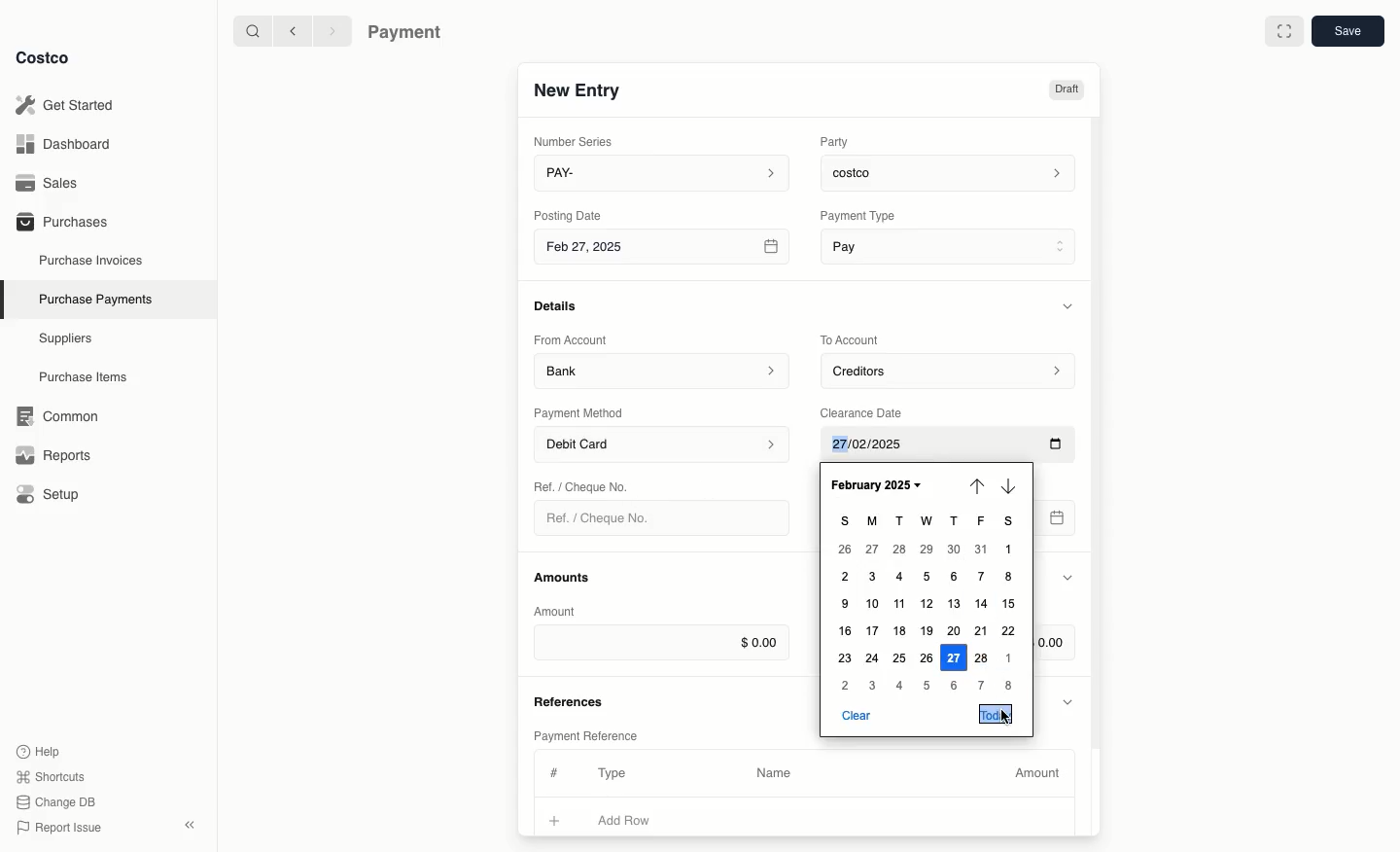 The image size is (1400, 852). What do you see at coordinates (928, 603) in the screenshot?
I see `Dates` at bounding box center [928, 603].